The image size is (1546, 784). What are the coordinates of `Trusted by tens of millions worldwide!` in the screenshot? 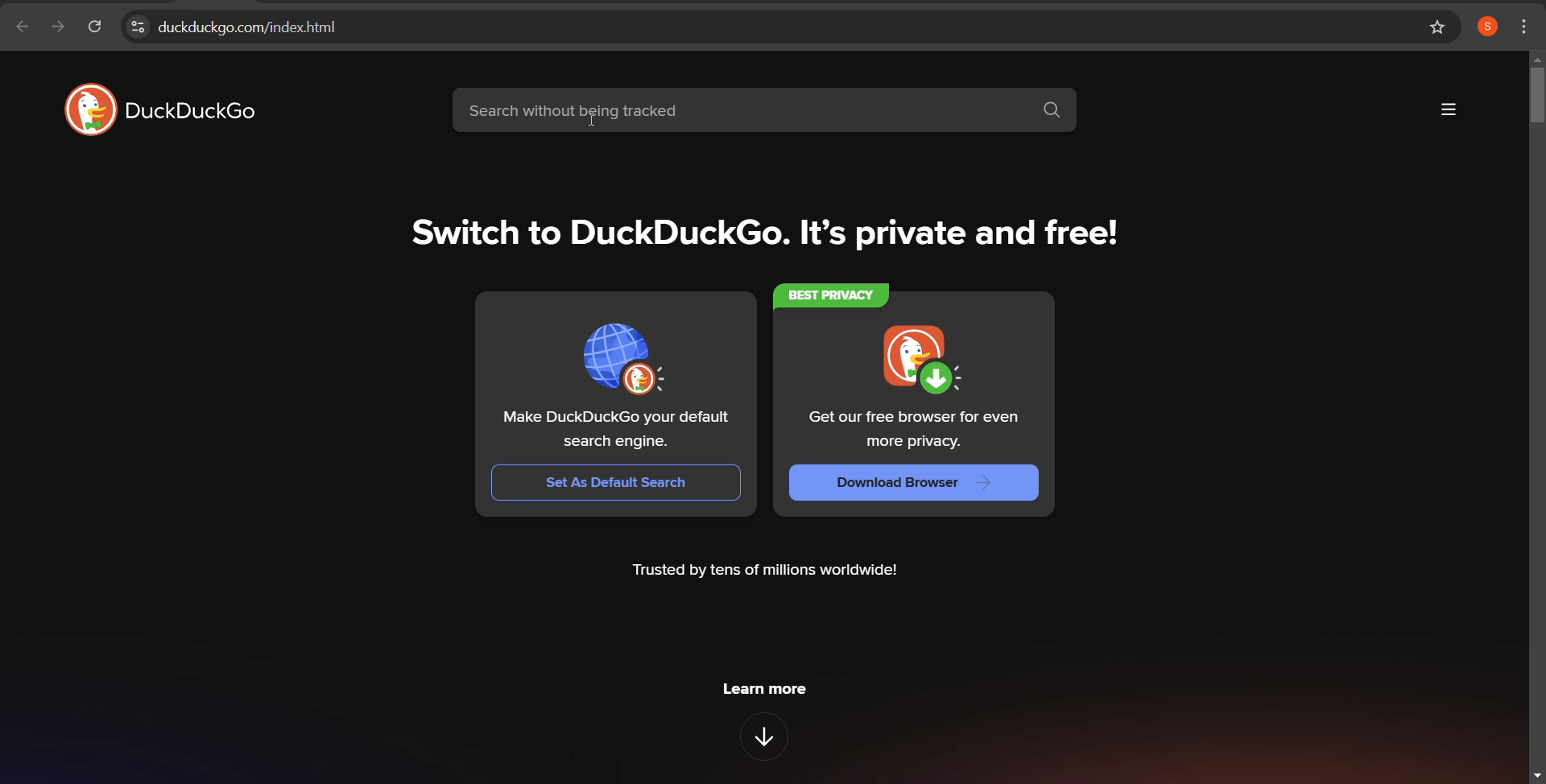 It's located at (771, 567).